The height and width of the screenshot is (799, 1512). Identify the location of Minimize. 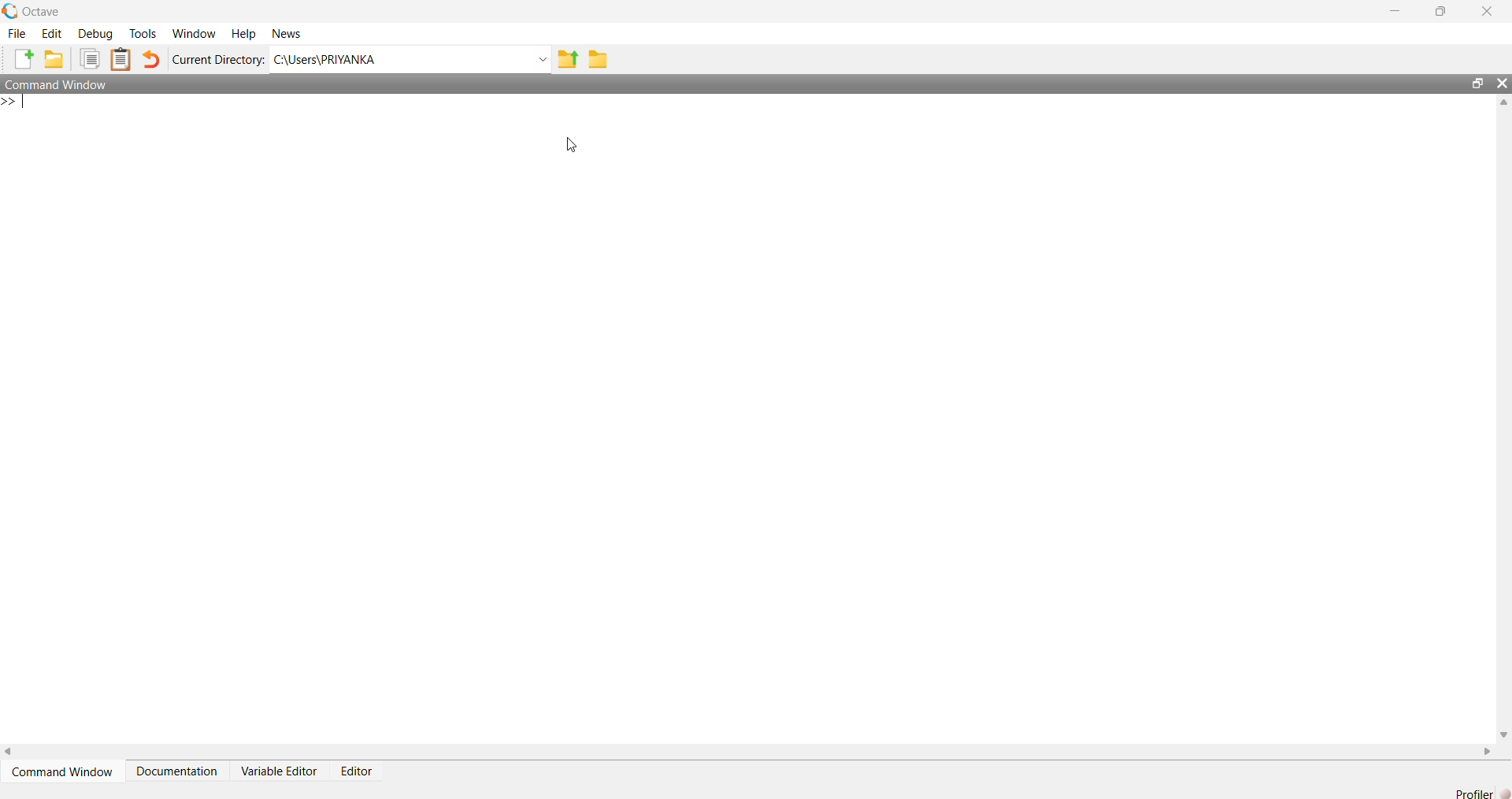
(1403, 12).